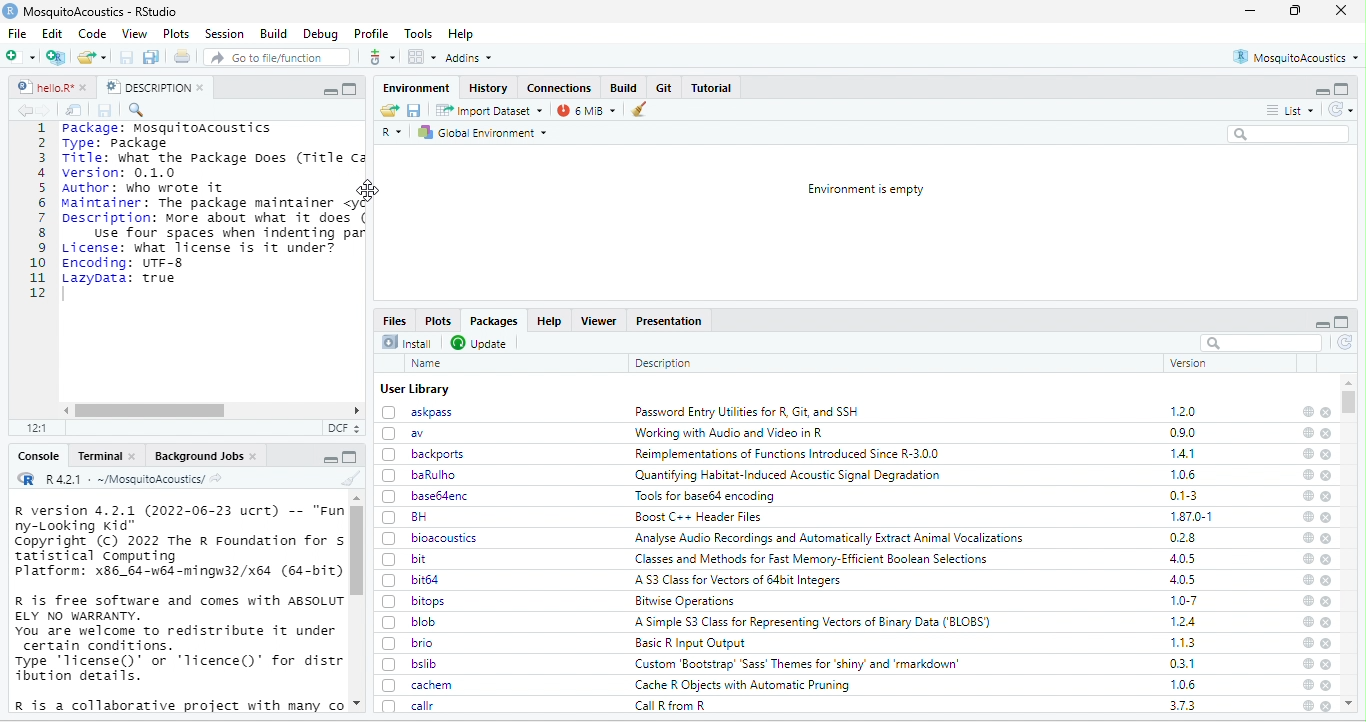 The image size is (1366, 722). Describe the element at coordinates (665, 88) in the screenshot. I see `Git` at that location.